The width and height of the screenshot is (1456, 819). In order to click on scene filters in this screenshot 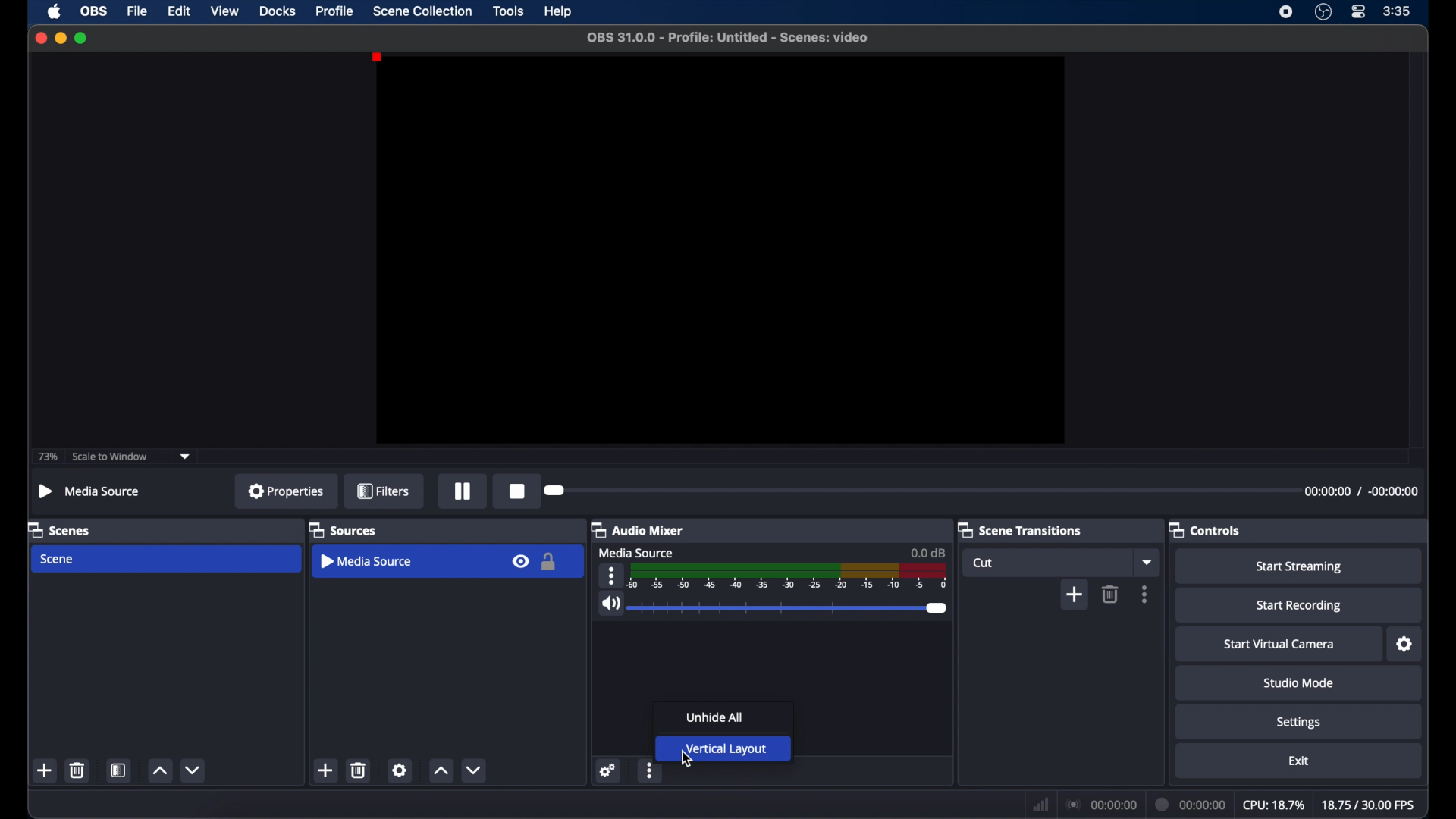, I will do `click(118, 770)`.